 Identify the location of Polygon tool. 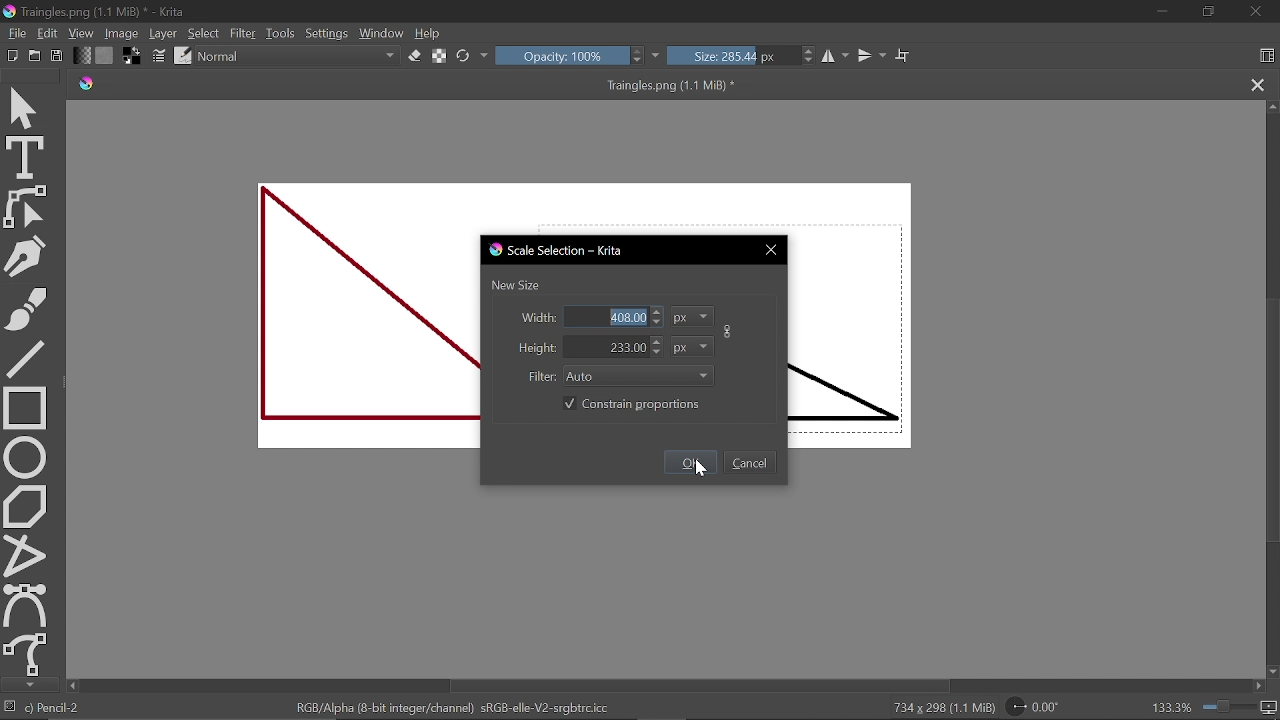
(26, 506).